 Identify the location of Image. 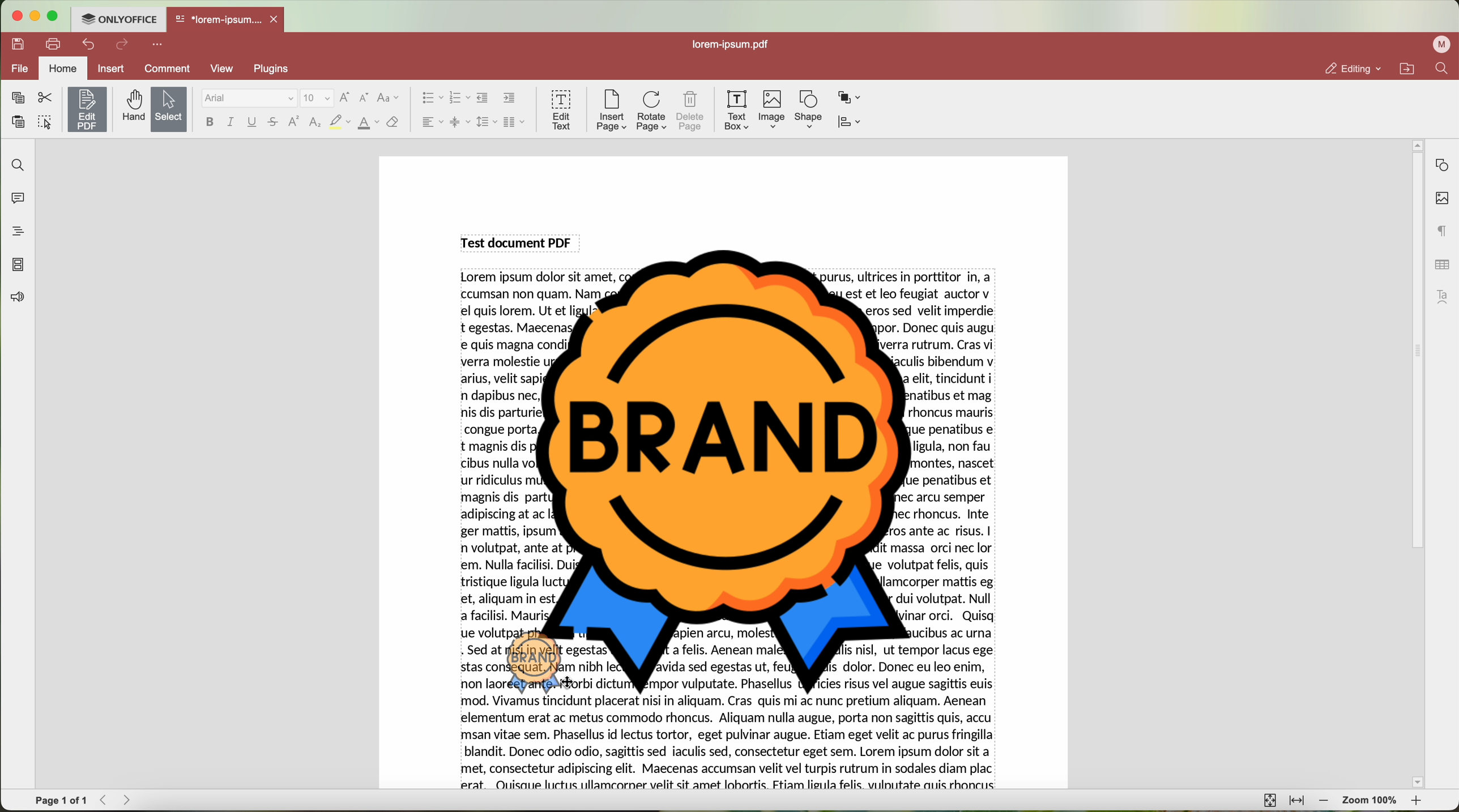
(773, 110).